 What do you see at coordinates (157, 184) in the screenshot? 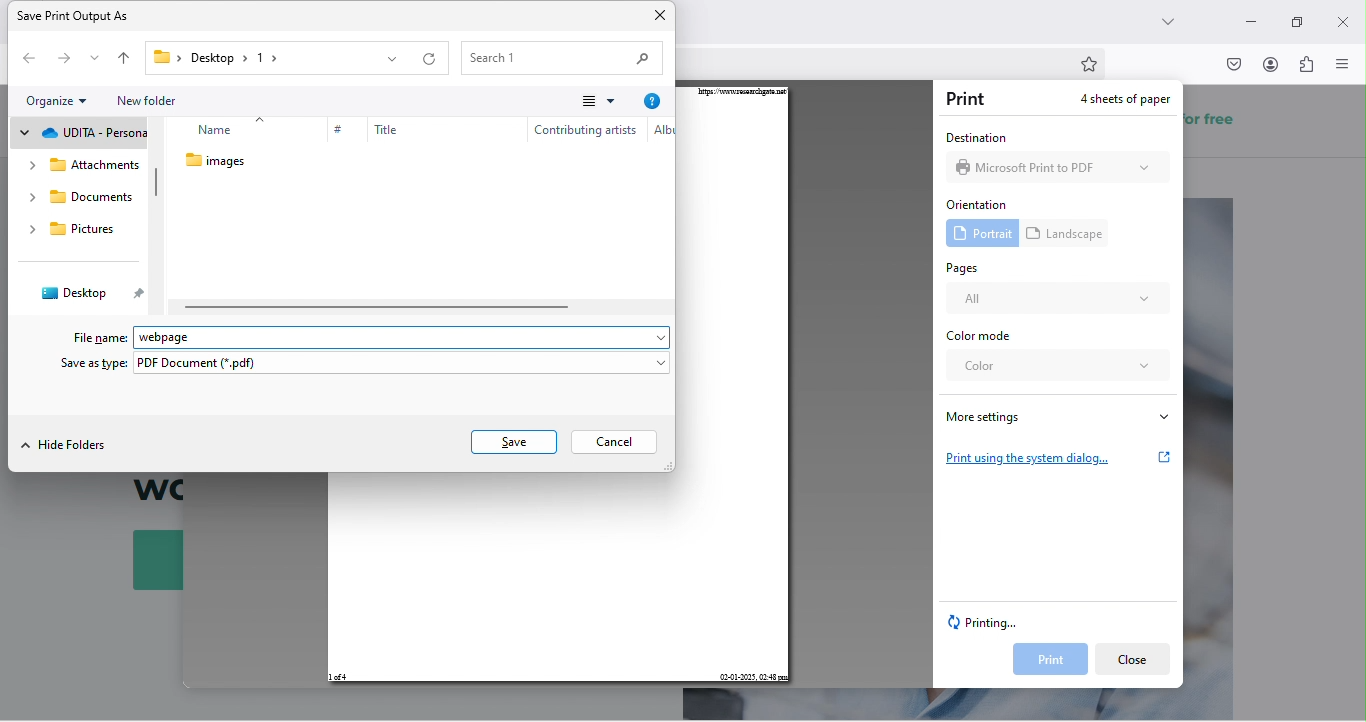
I see `vertical scroll bar` at bounding box center [157, 184].